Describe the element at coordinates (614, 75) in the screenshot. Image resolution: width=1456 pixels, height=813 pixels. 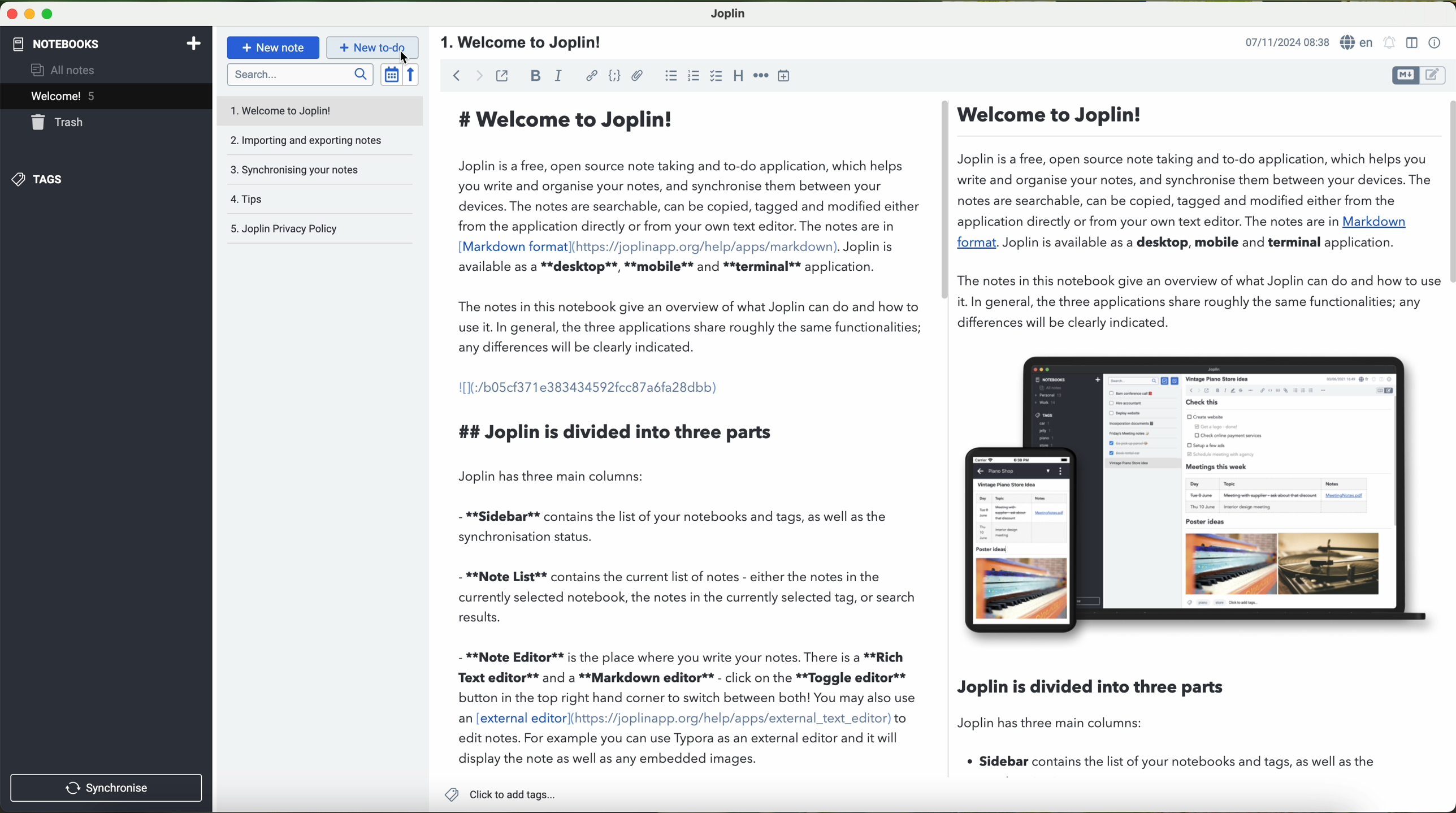
I see `code` at that location.